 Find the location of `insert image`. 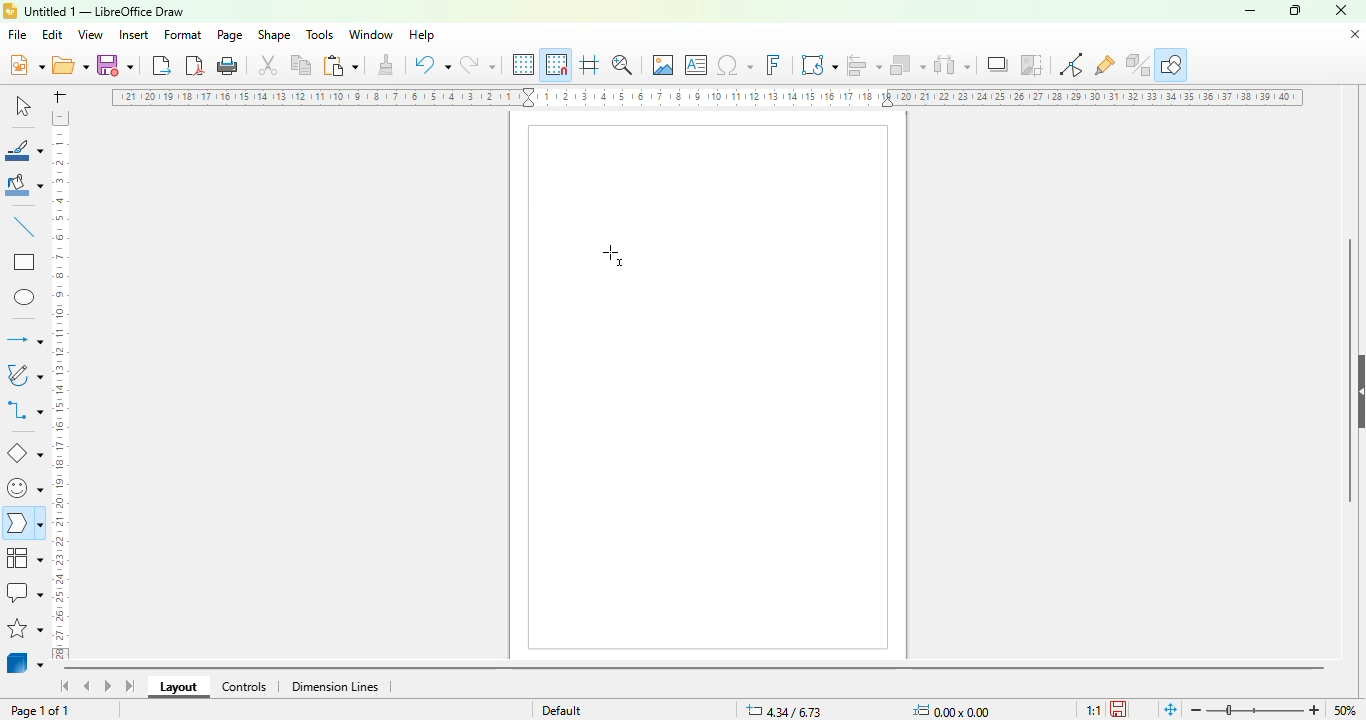

insert image is located at coordinates (663, 64).